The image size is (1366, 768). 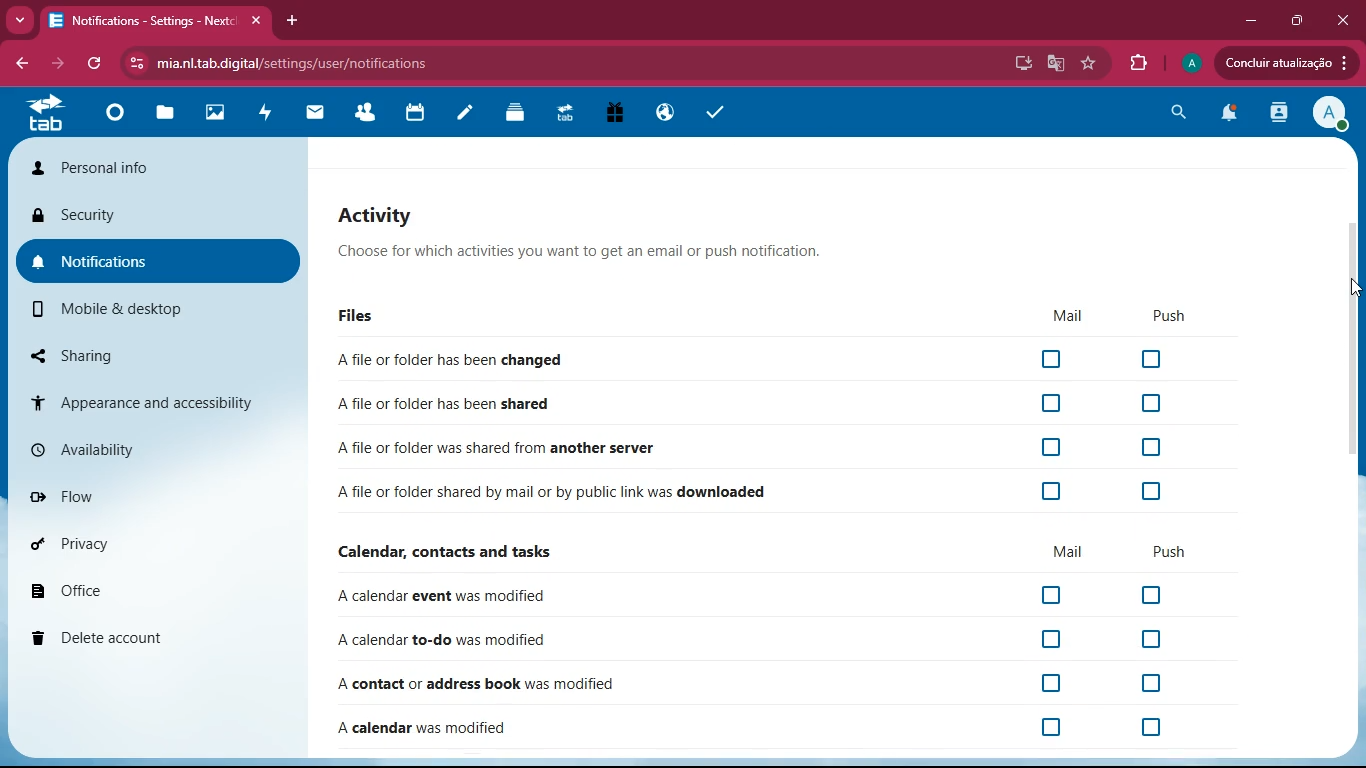 What do you see at coordinates (462, 117) in the screenshot?
I see `notes` at bounding box center [462, 117].